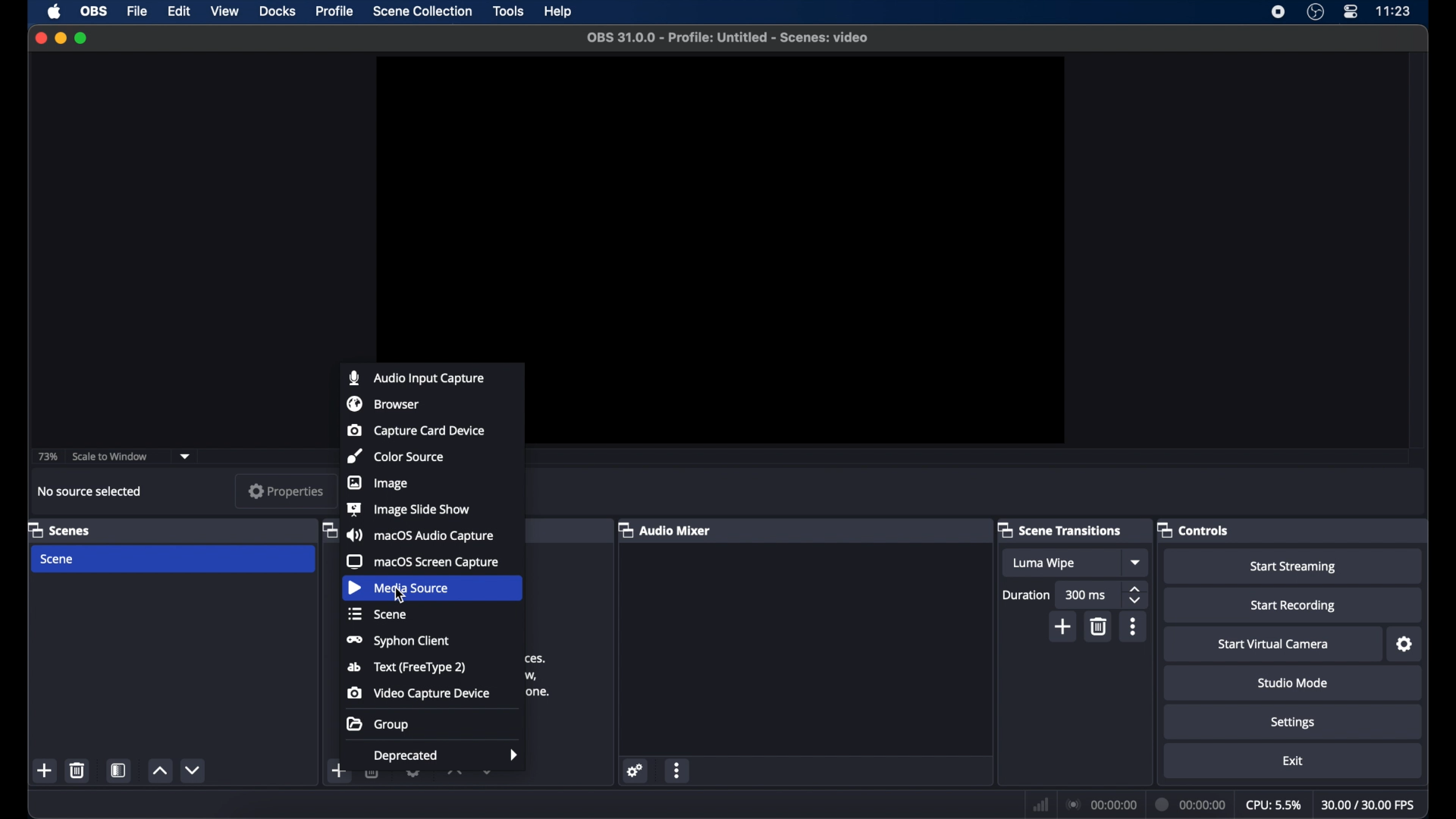 The image size is (1456, 819). Describe the element at coordinates (1134, 595) in the screenshot. I see `stepper buttons` at that location.